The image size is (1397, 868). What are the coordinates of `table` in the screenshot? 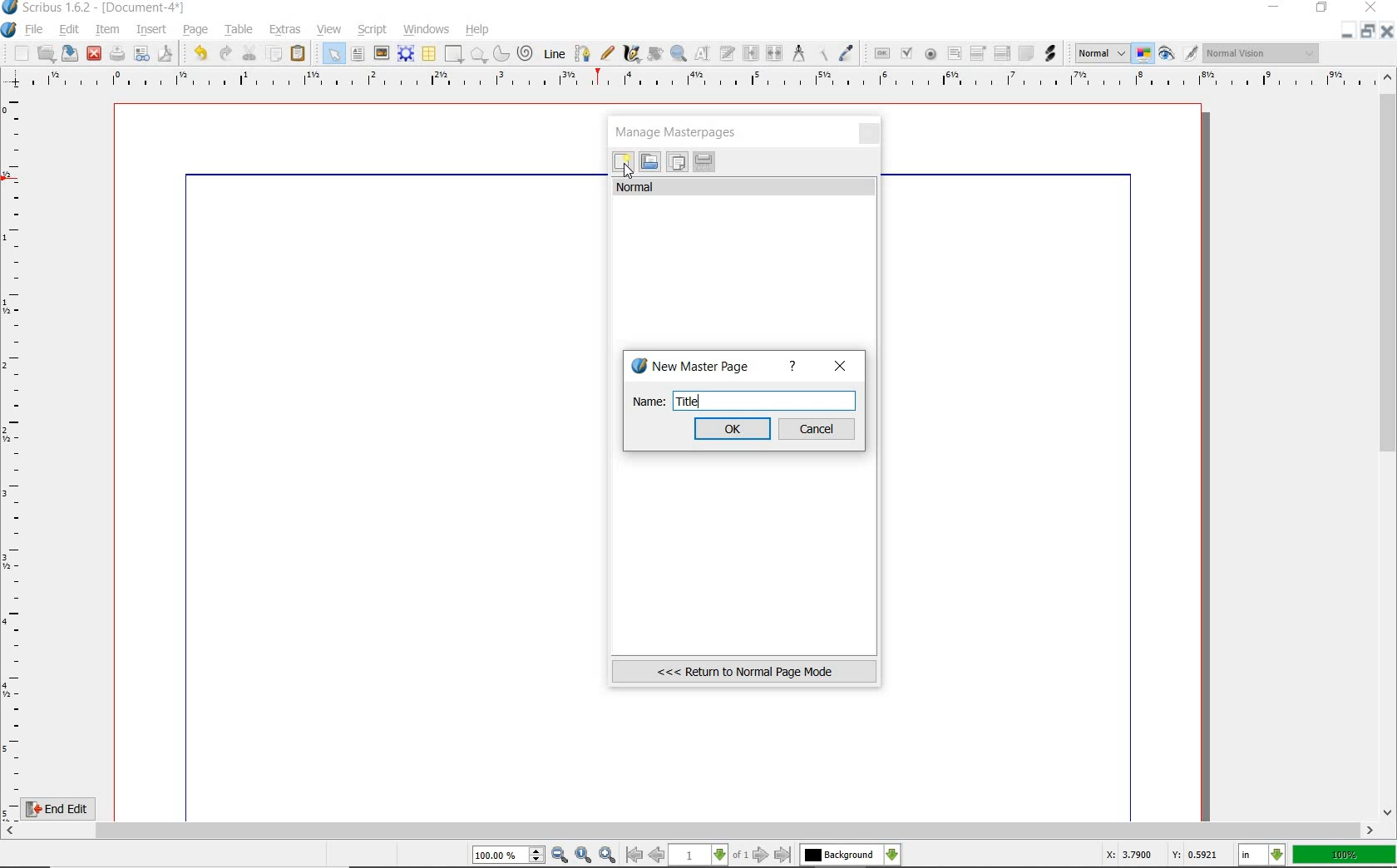 It's located at (236, 29).